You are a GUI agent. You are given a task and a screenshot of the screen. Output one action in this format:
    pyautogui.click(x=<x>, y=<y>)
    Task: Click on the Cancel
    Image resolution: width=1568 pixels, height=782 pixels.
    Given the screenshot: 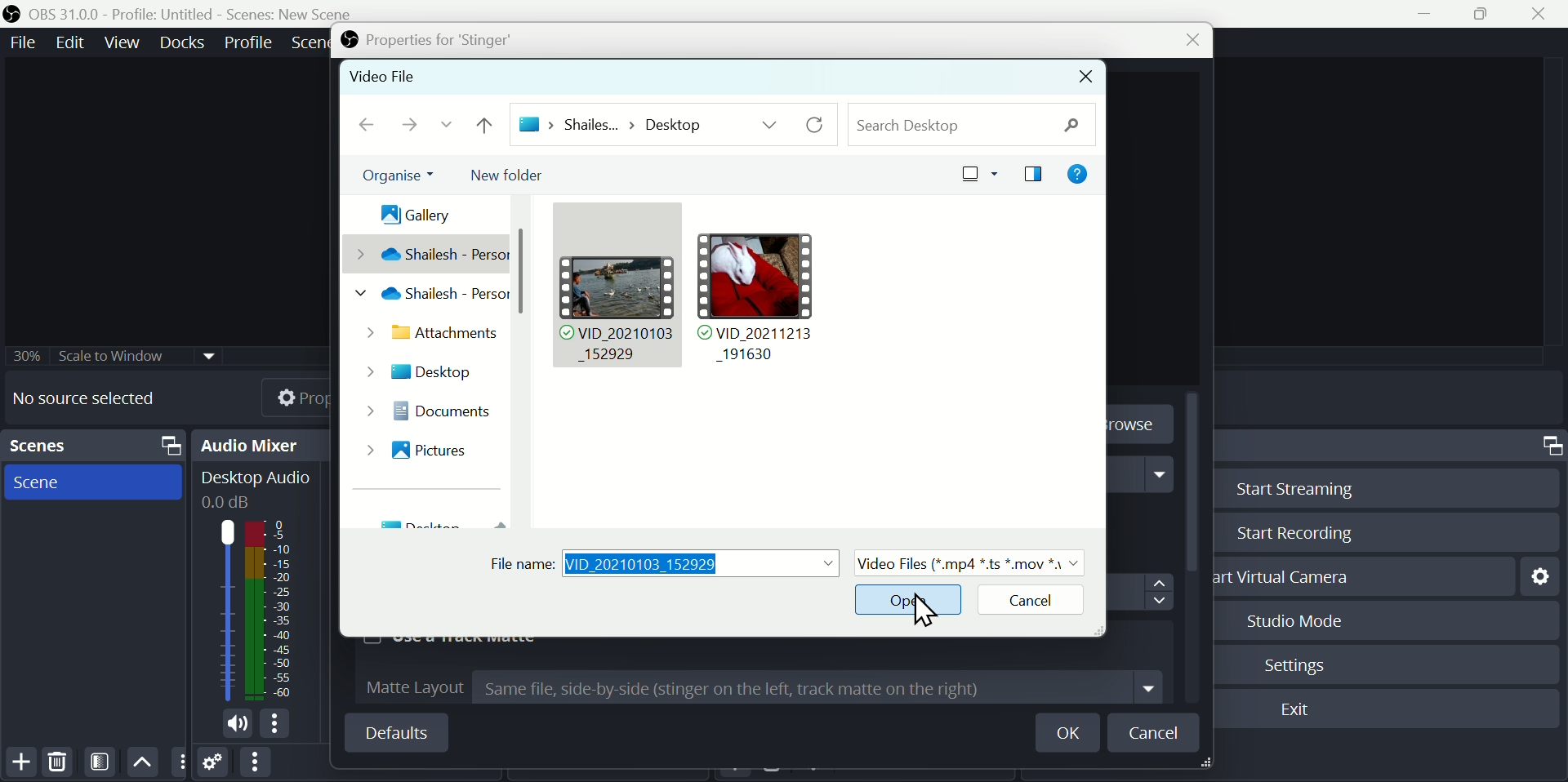 What is the action you would take?
    pyautogui.click(x=1156, y=732)
    